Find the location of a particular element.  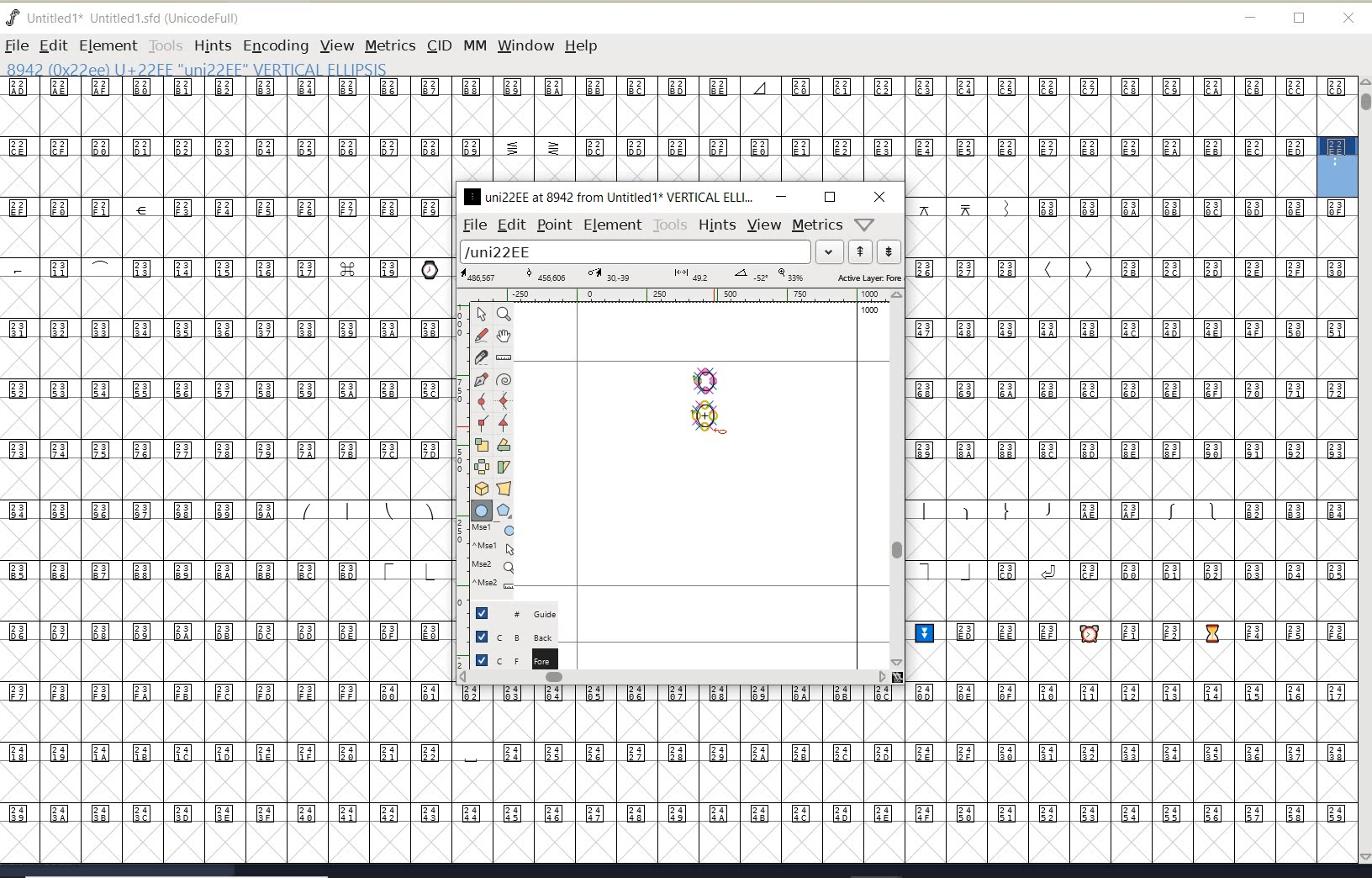

scrollbar is located at coordinates (673, 679).